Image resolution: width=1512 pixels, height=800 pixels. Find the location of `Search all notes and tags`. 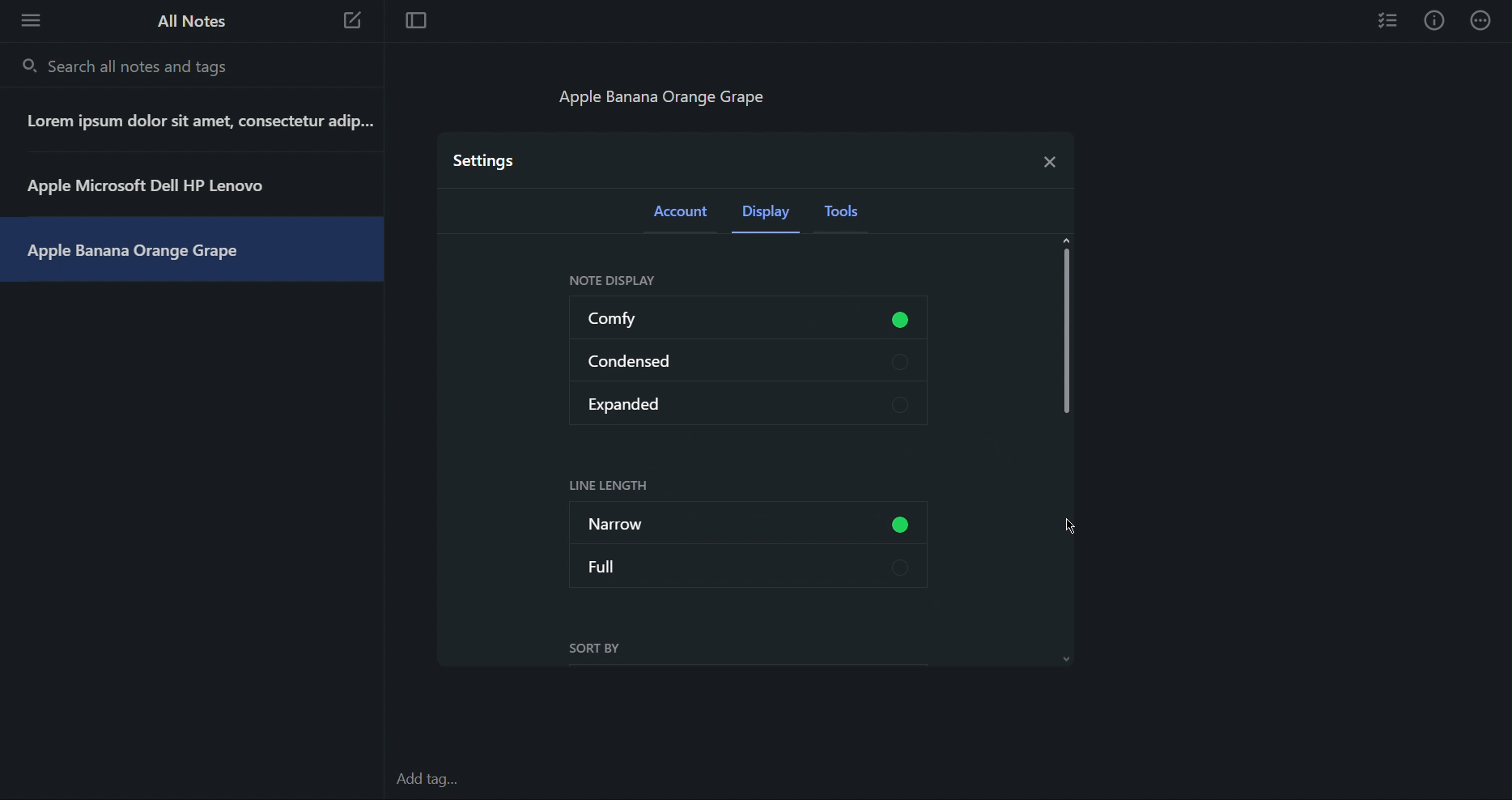

Search all notes and tags is located at coordinates (130, 66).